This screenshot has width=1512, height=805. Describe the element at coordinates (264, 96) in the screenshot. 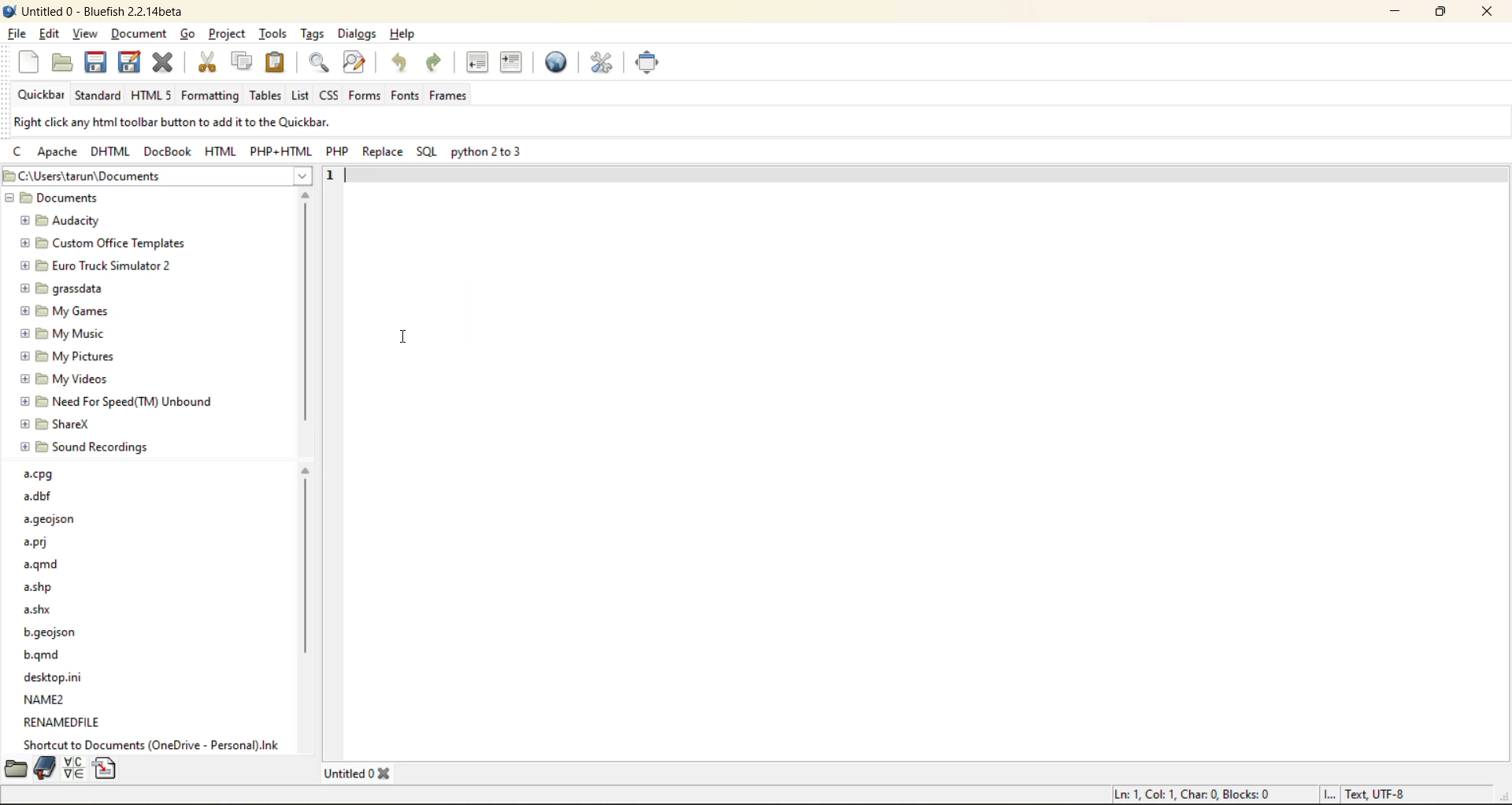

I see `tables` at that location.